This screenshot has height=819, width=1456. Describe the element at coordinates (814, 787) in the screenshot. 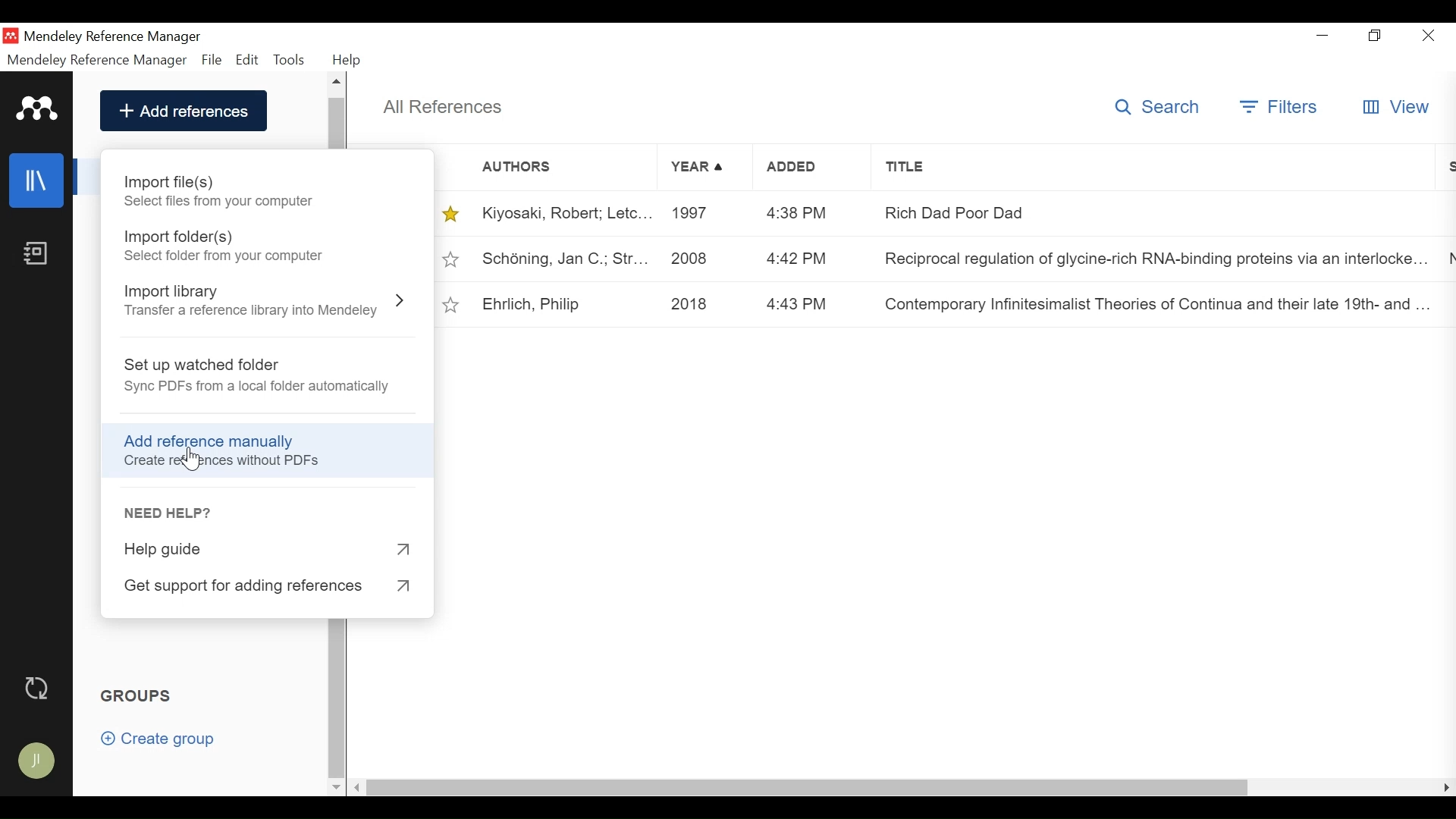

I see `Horizontal Scroll bar` at that location.